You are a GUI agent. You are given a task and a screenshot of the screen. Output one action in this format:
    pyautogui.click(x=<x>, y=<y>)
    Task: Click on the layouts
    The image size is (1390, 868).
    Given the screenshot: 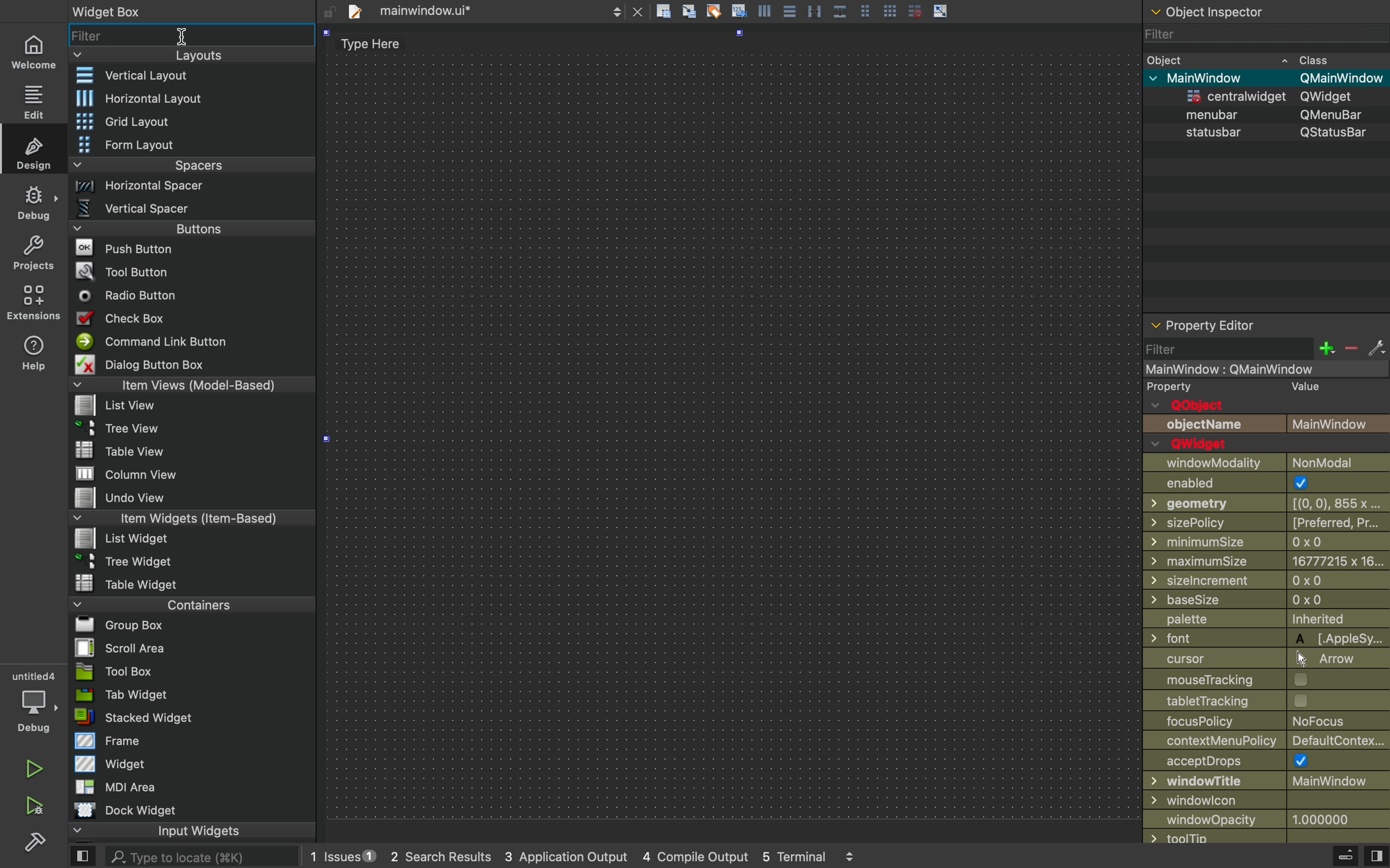 What is the action you would take?
    pyautogui.click(x=191, y=56)
    